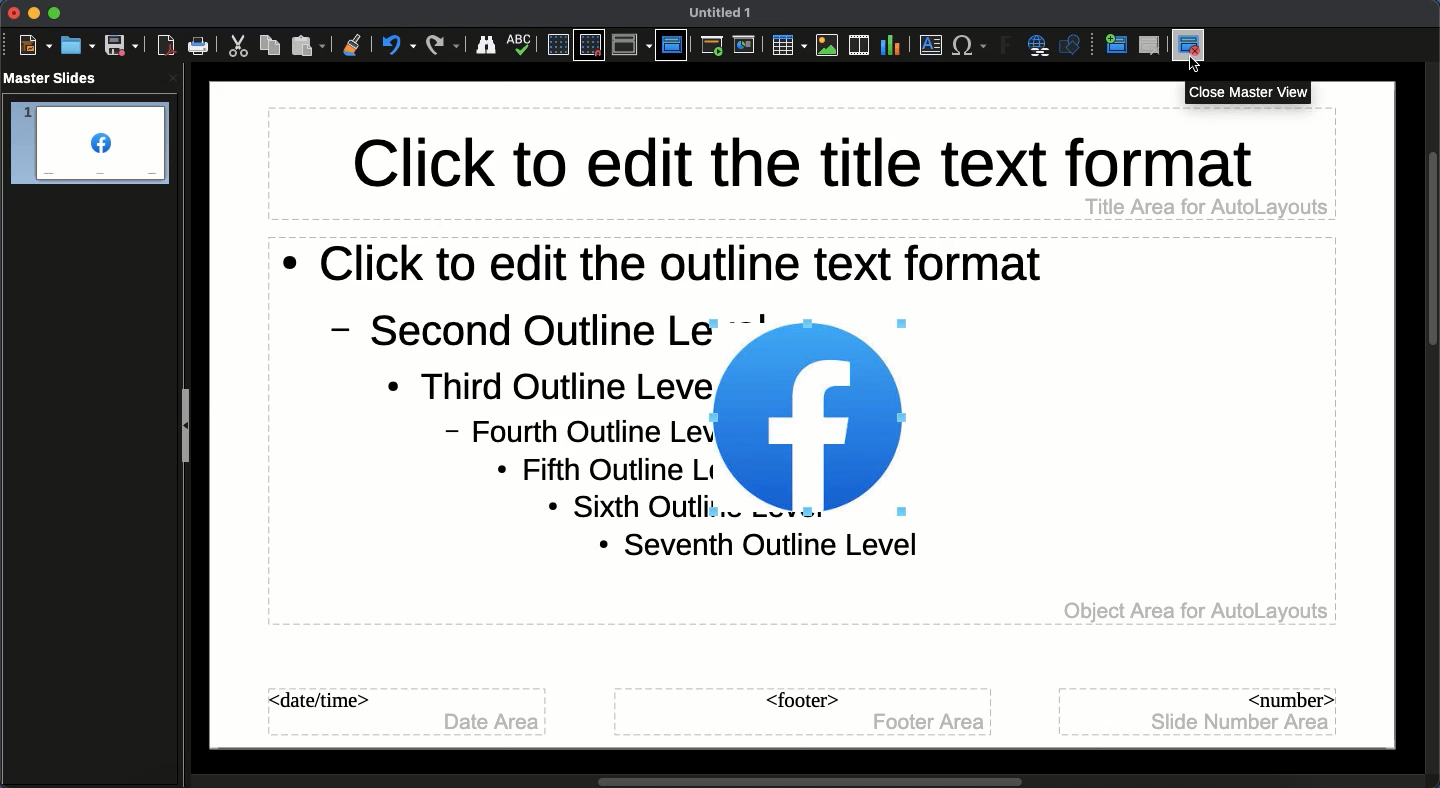 Image resolution: width=1440 pixels, height=788 pixels. I want to click on Snap to grid, so click(589, 45).